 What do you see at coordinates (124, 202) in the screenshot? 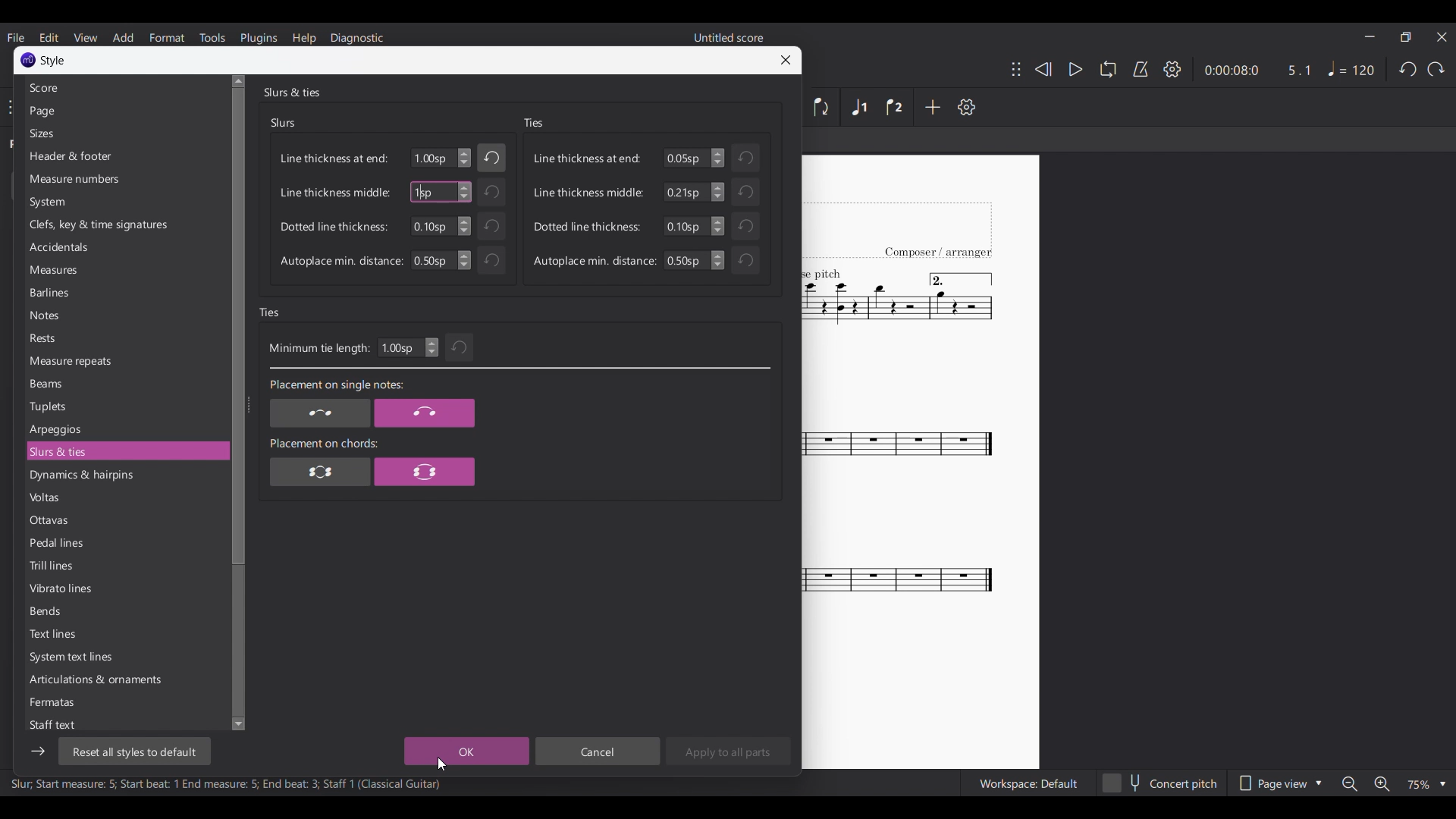
I see `System` at bounding box center [124, 202].